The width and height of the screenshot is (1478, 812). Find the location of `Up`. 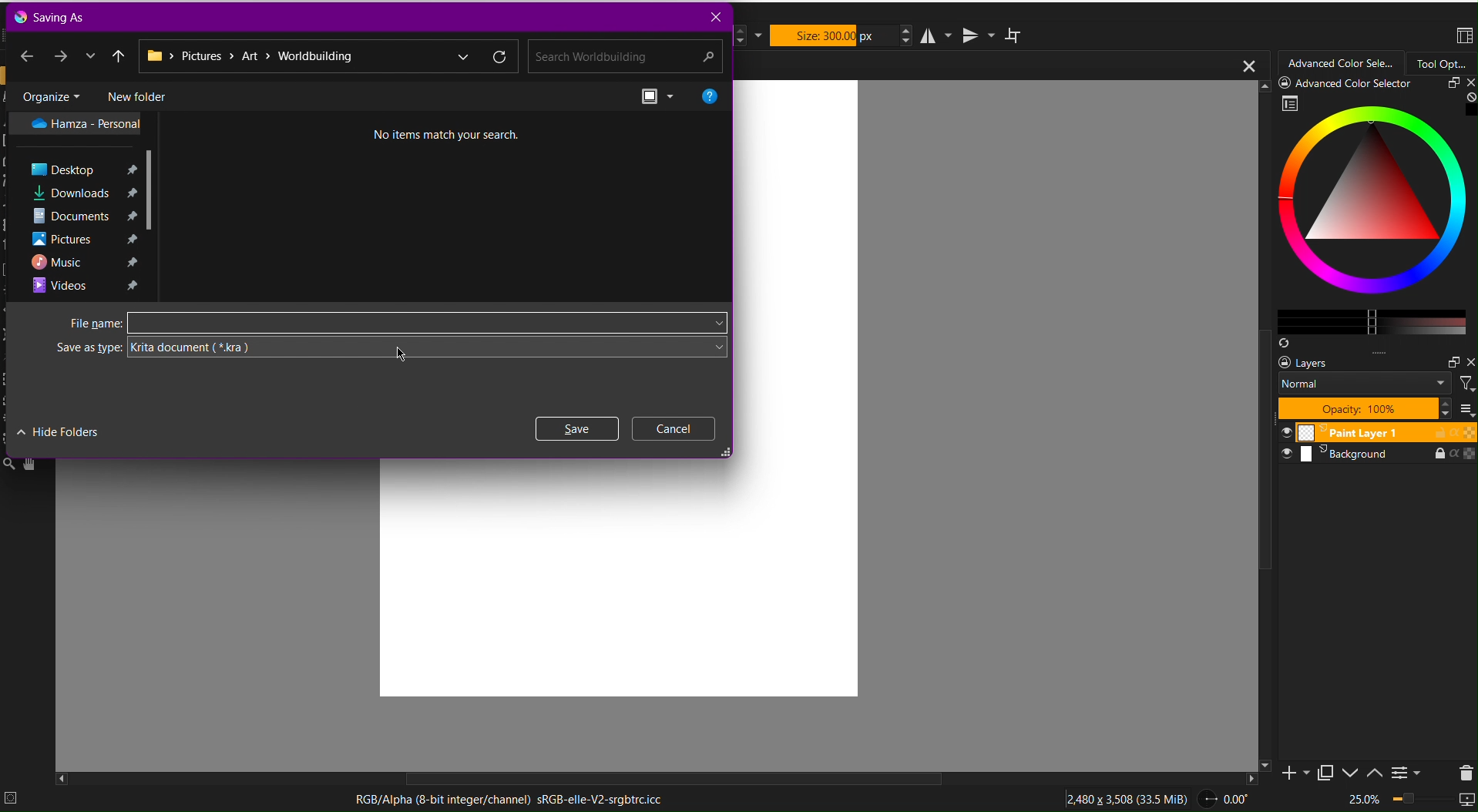

Up is located at coordinates (119, 55).